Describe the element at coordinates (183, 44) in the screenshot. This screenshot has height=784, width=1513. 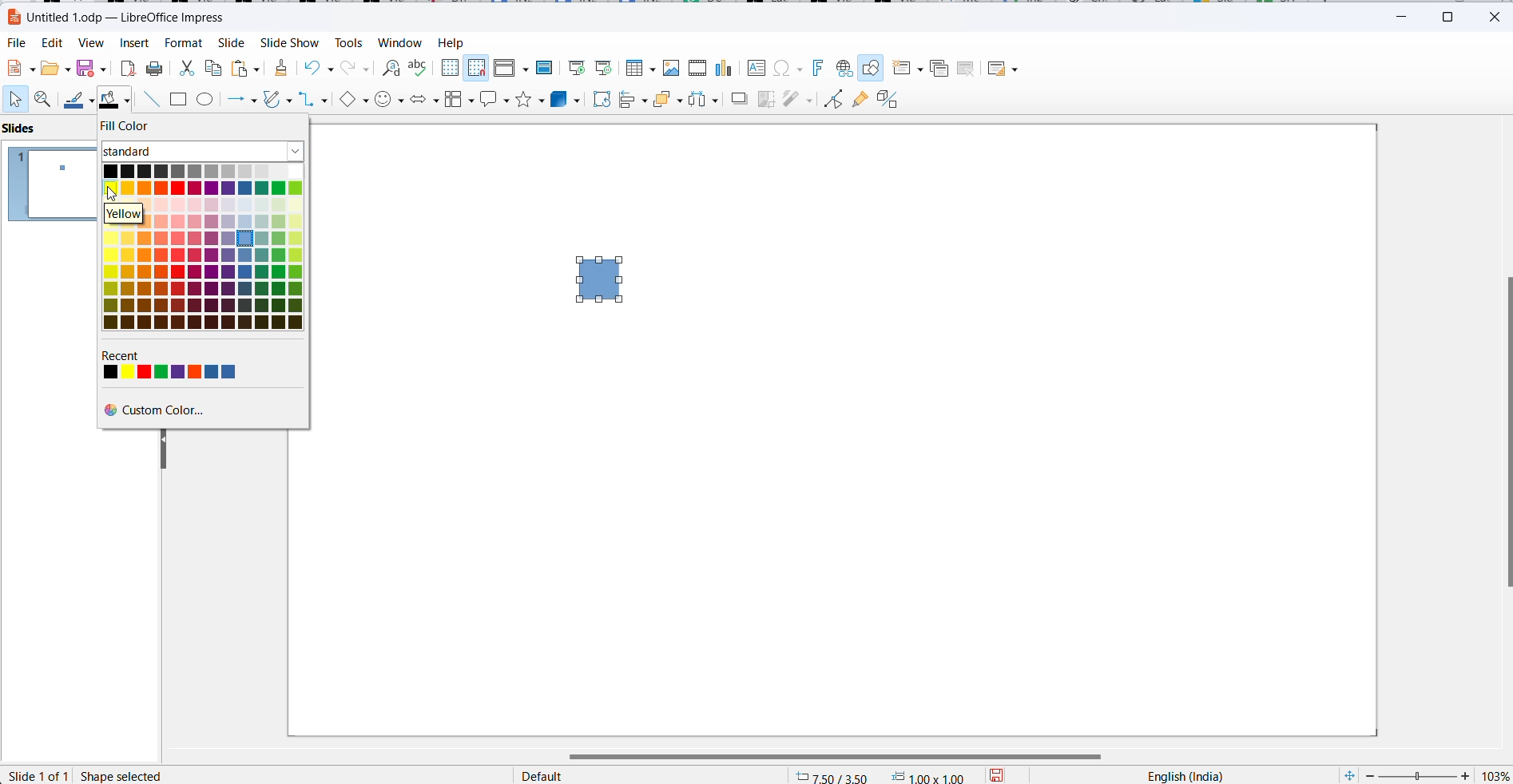
I see `Format` at that location.